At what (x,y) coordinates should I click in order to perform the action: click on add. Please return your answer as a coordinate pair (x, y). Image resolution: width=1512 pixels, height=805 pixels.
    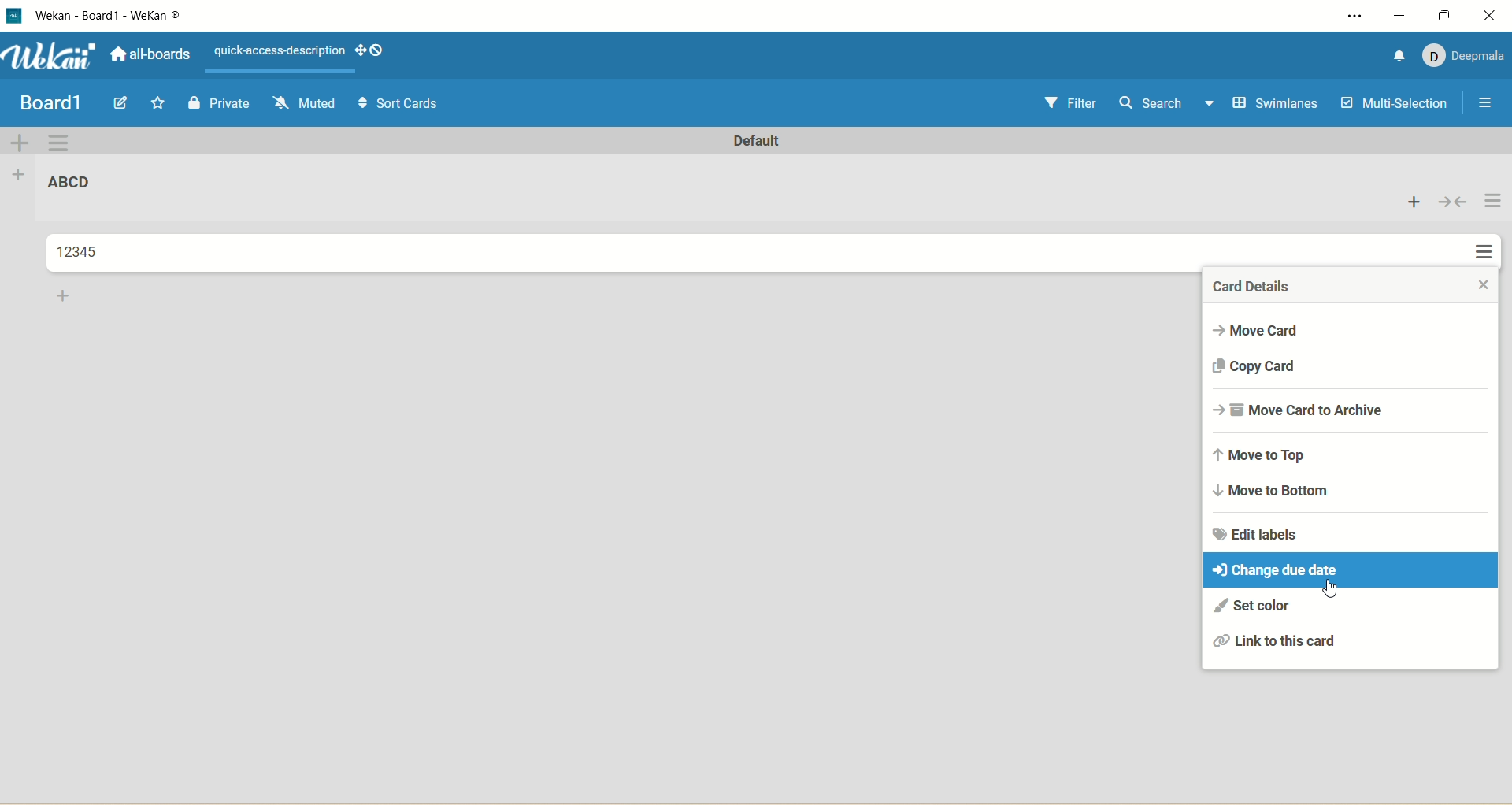
    Looking at the image, I should click on (1415, 201).